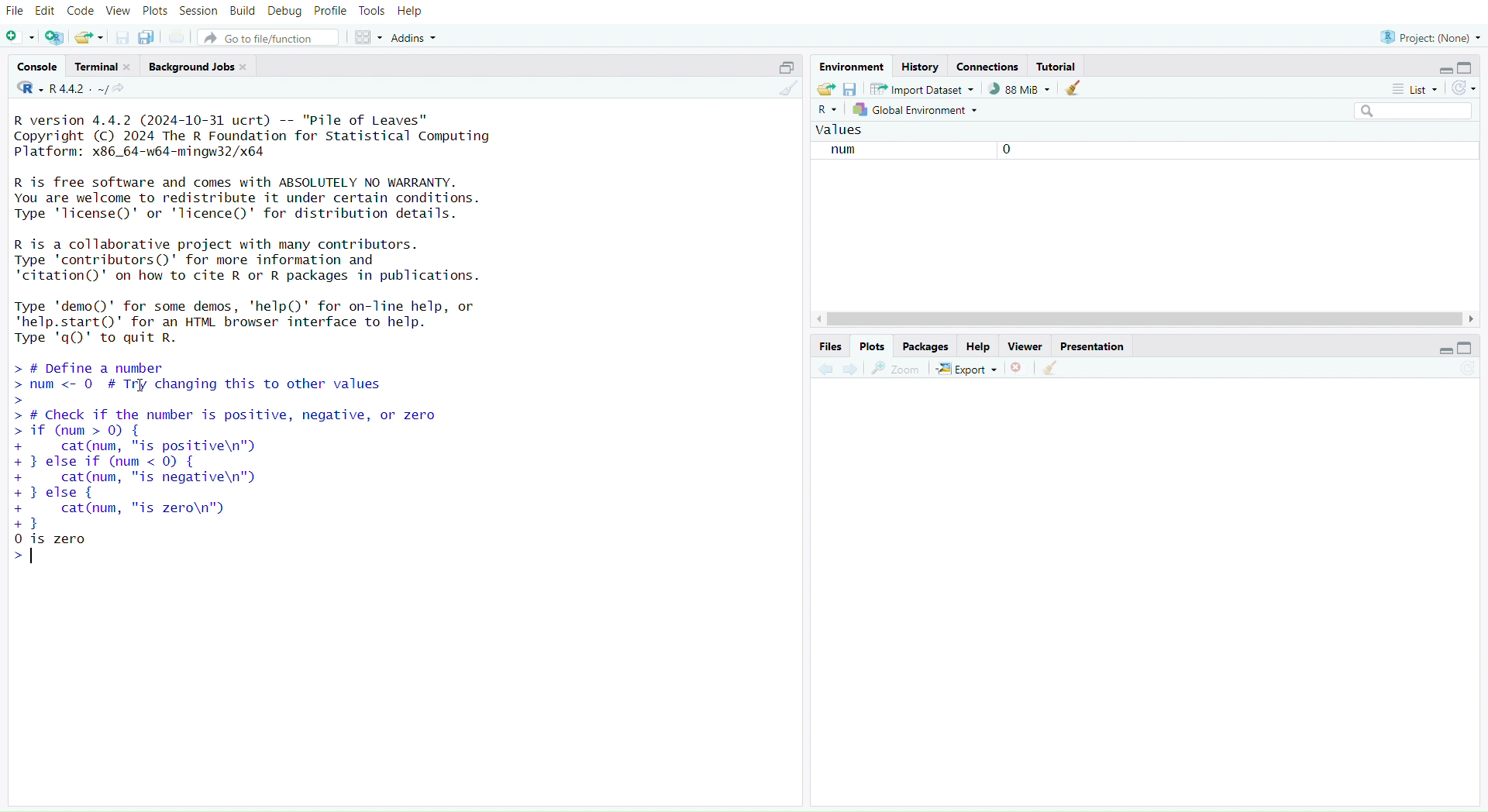 This screenshot has width=1488, height=812. Describe the element at coordinates (825, 90) in the screenshot. I see `load workspace` at that location.